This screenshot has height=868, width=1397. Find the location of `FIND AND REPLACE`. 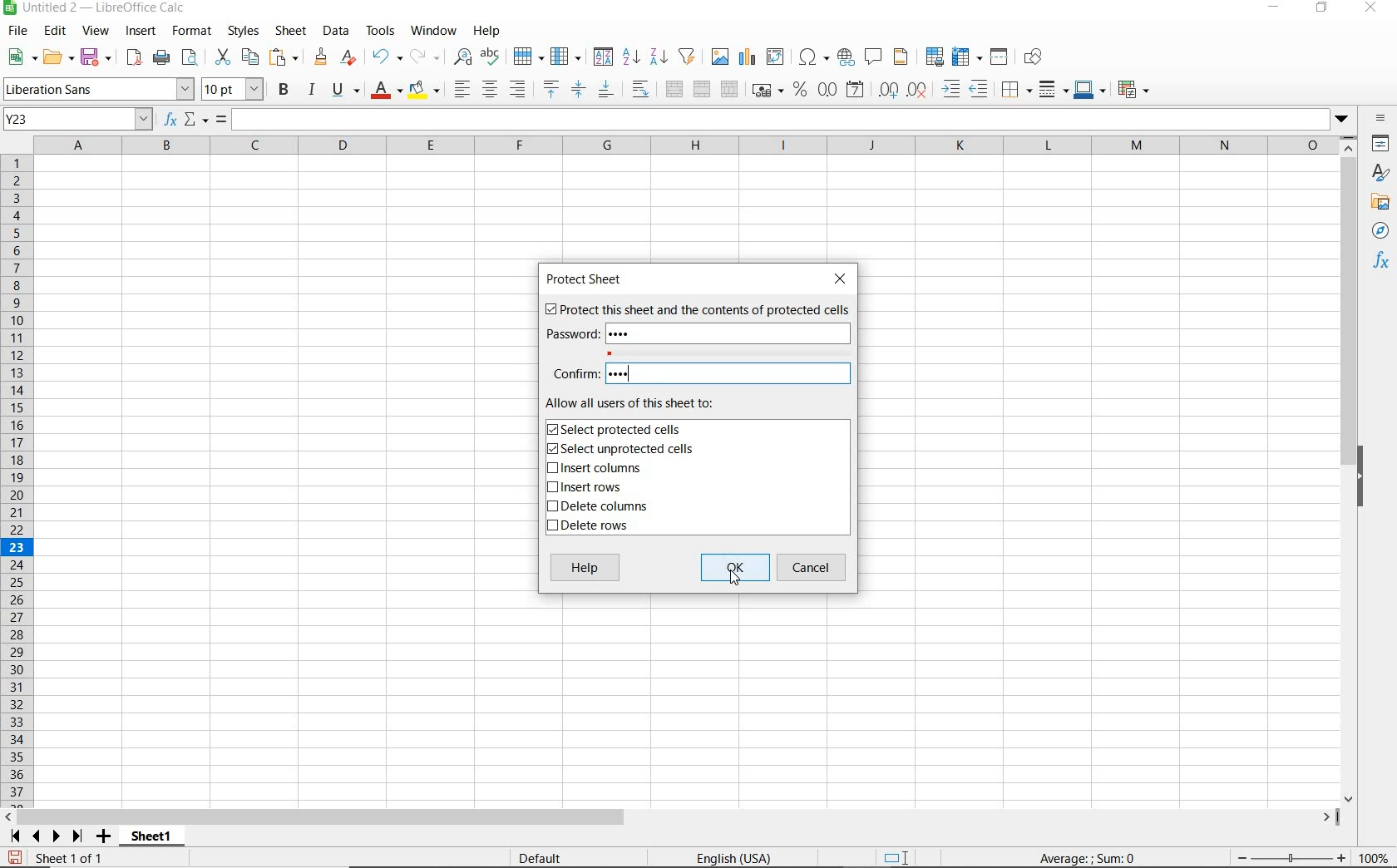

FIND AND REPLACE is located at coordinates (459, 57).